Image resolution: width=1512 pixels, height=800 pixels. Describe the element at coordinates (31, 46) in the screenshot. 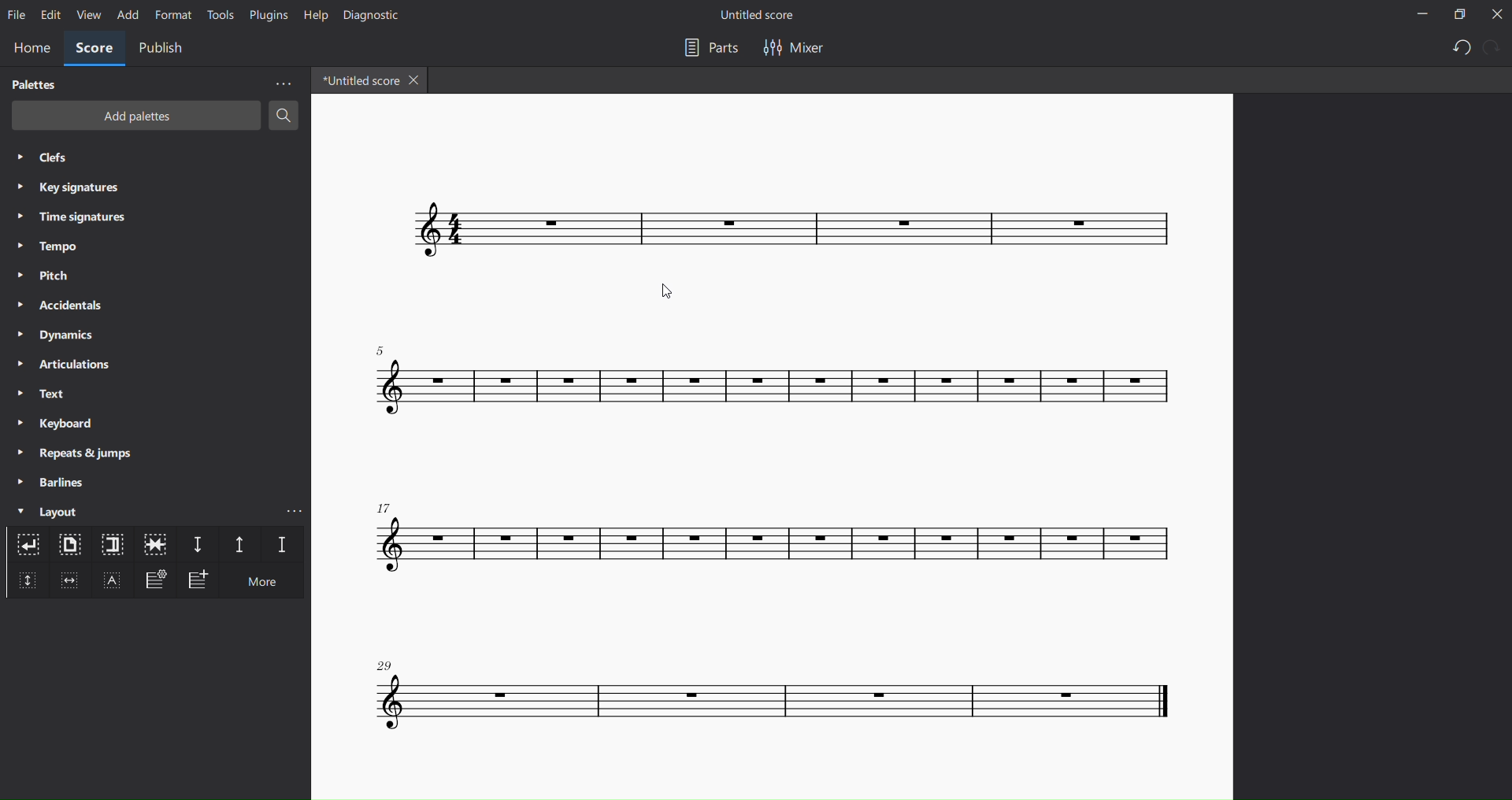

I see `home` at that location.